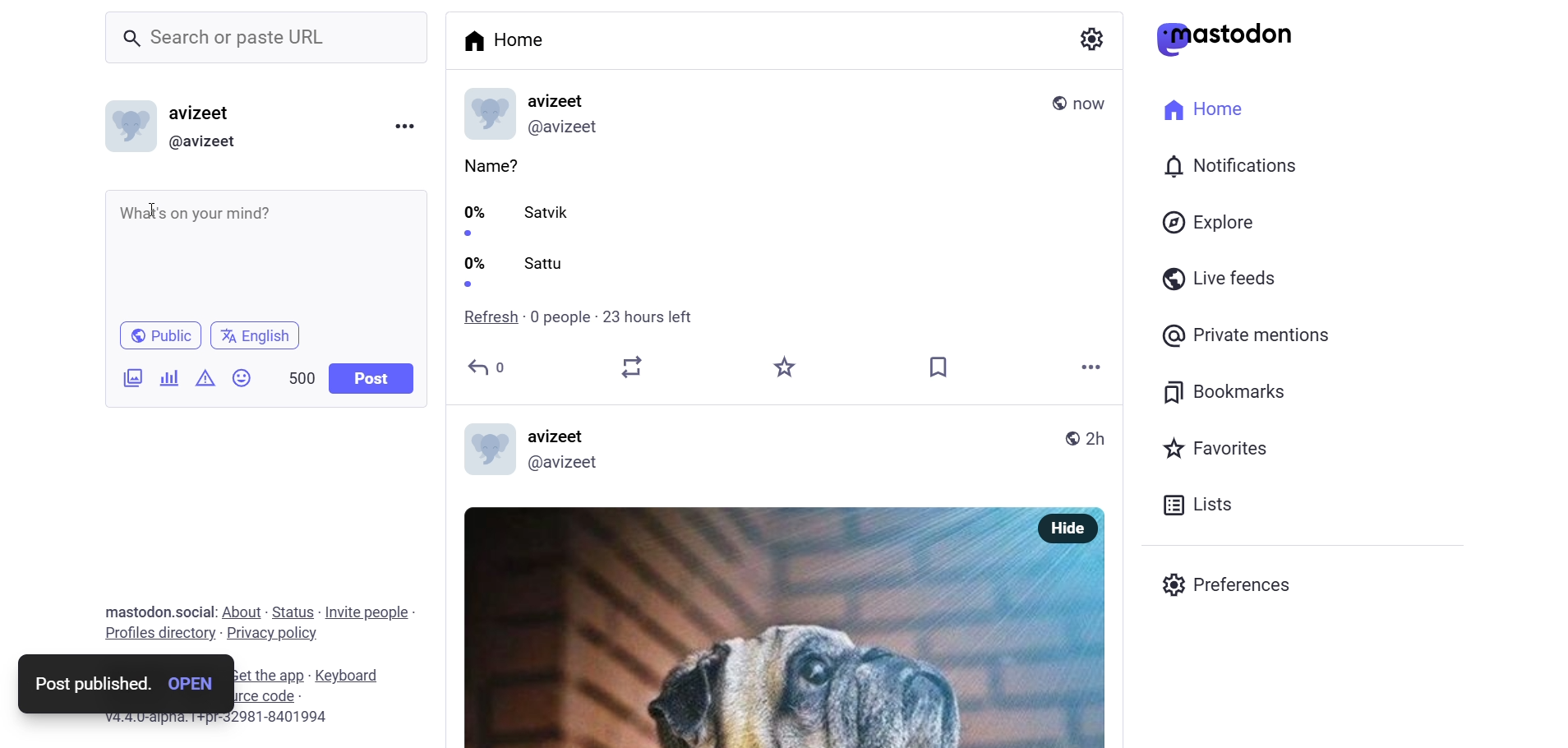 This screenshot has width=1568, height=748. I want to click on profiles, so click(159, 632).